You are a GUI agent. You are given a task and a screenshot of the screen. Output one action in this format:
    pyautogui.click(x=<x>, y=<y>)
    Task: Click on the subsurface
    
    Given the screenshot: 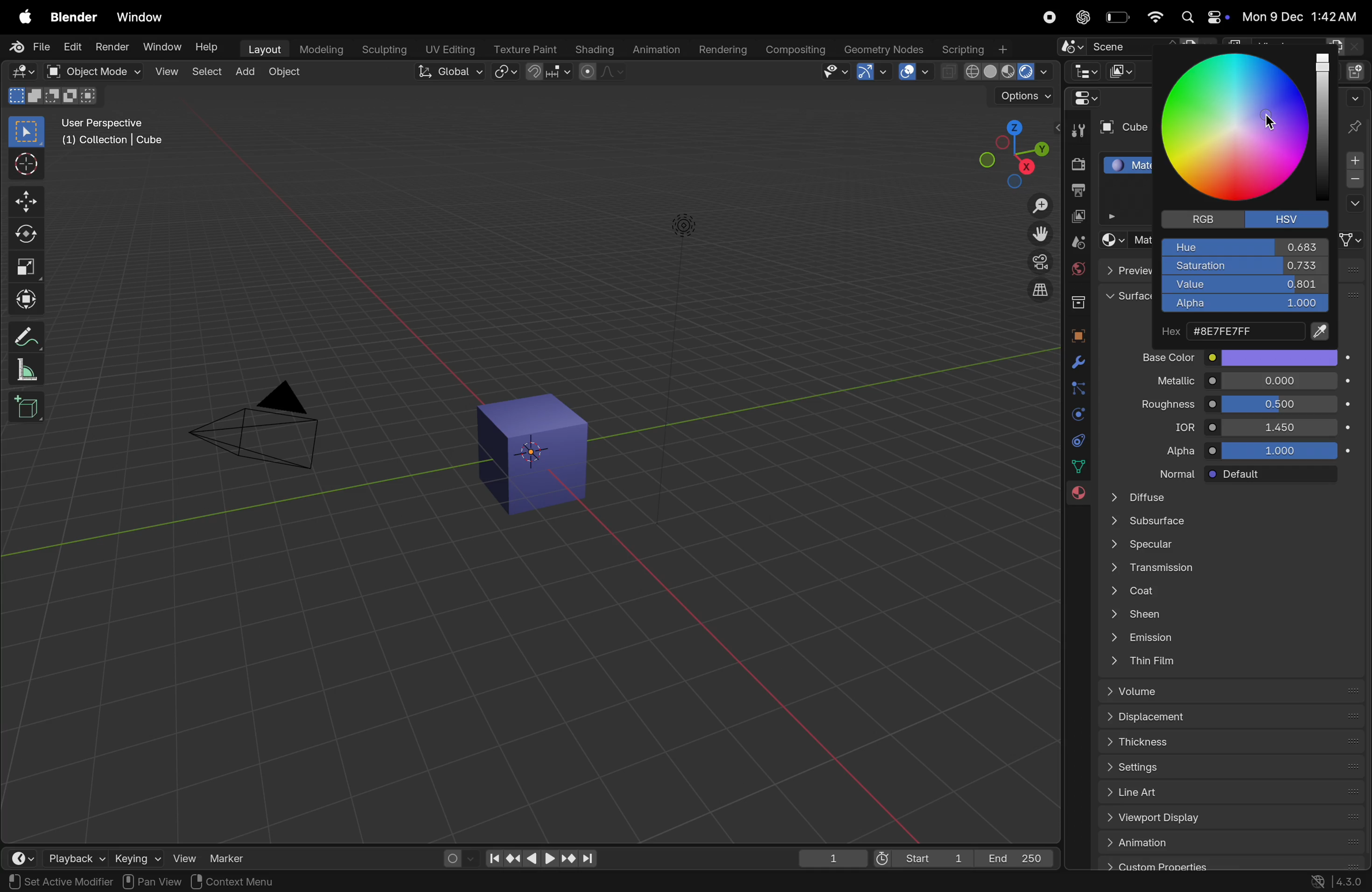 What is the action you would take?
    pyautogui.click(x=1225, y=523)
    